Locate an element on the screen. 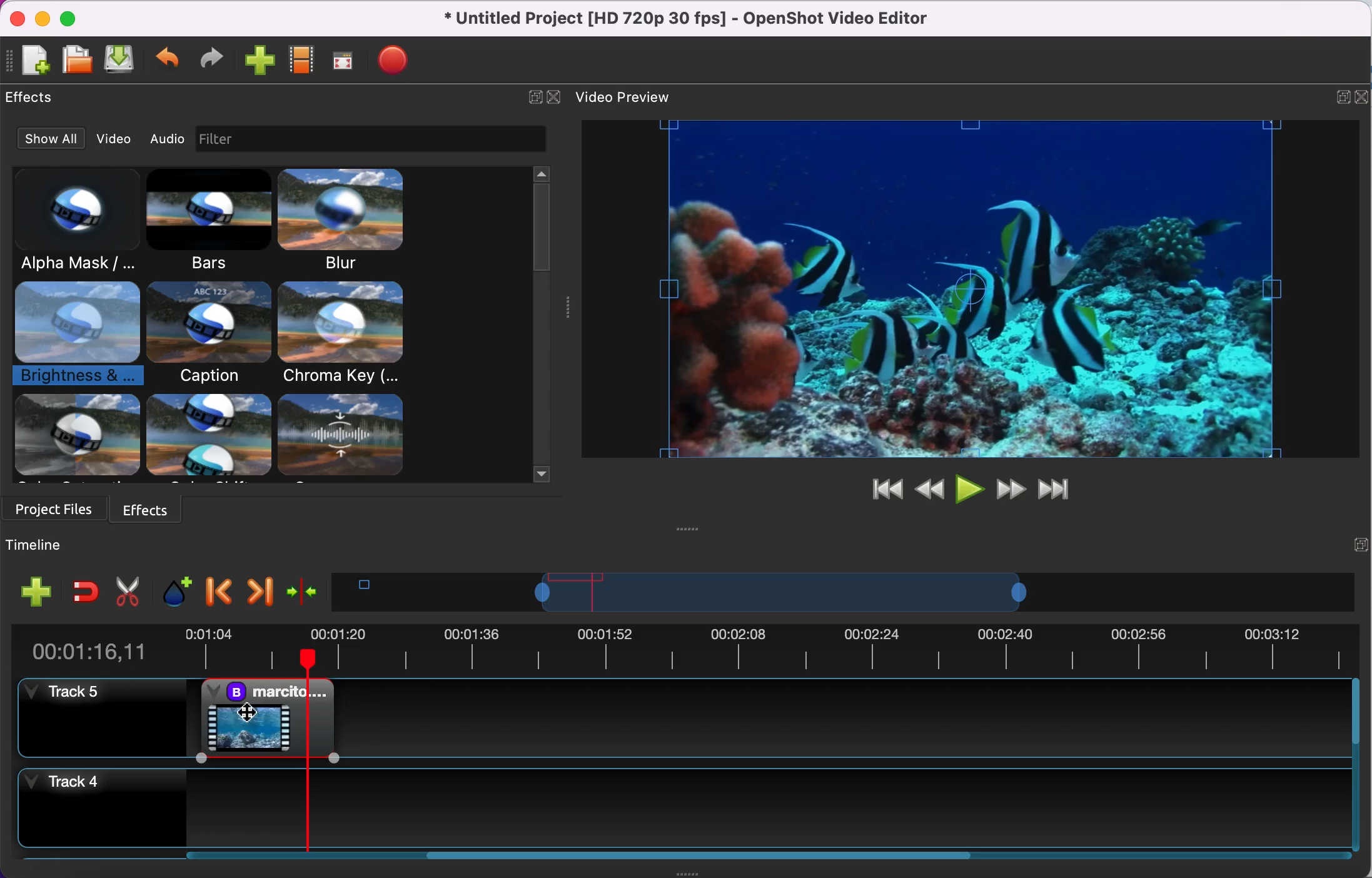 The height and width of the screenshot is (878, 1372). next marker is located at coordinates (258, 589).